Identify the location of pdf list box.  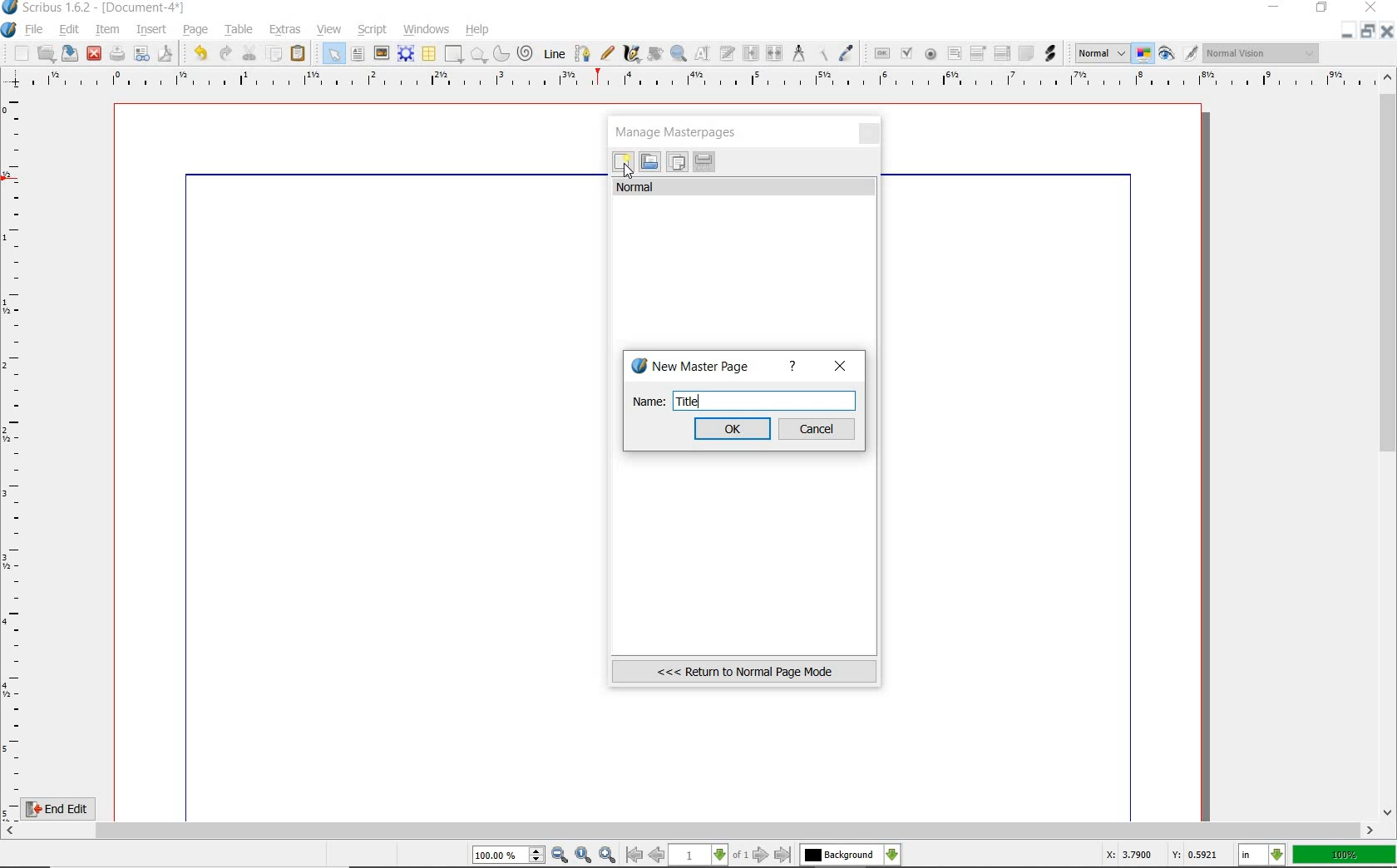
(1001, 55).